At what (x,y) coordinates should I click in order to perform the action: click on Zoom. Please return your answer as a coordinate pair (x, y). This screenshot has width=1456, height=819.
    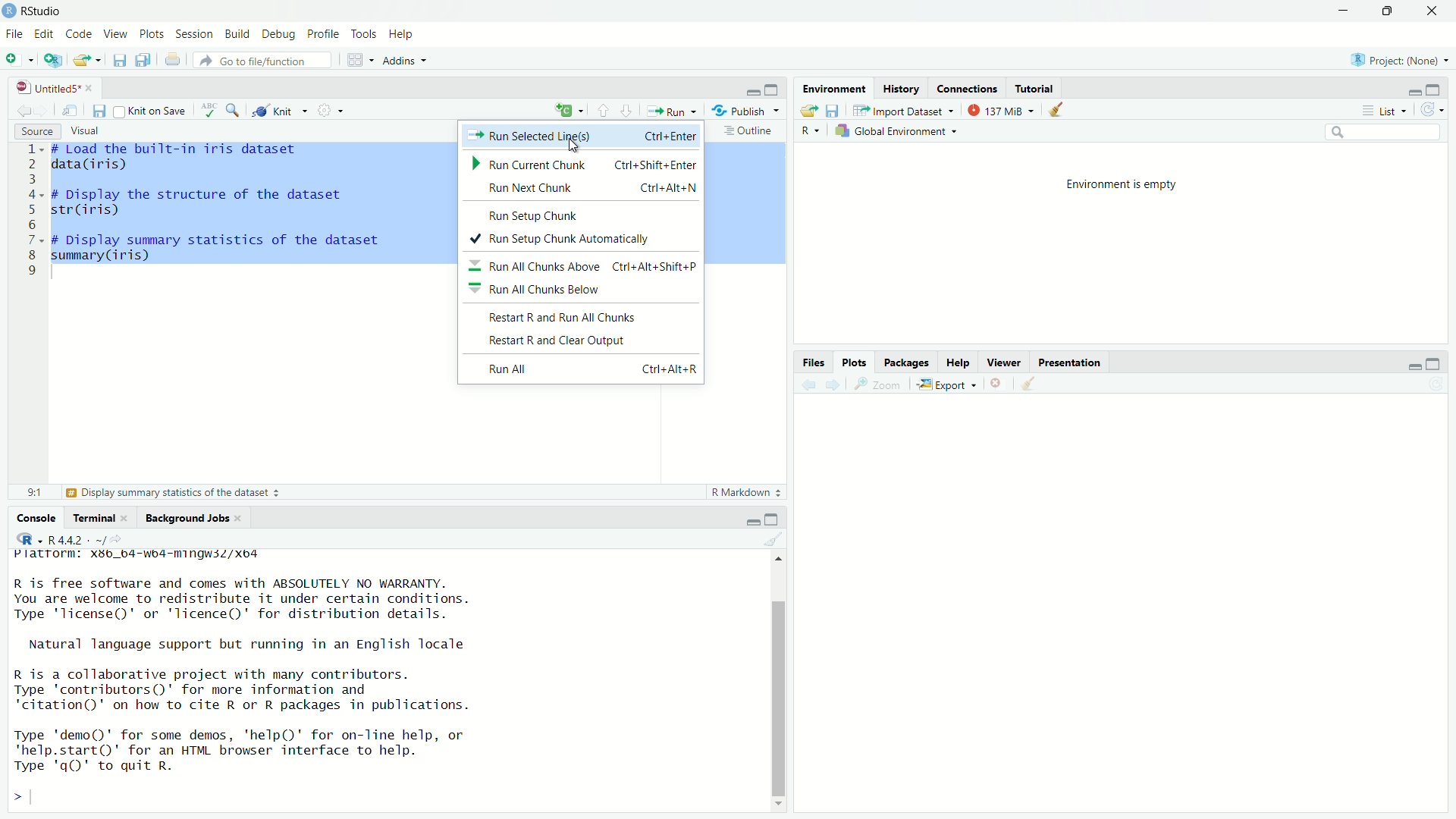
    Looking at the image, I should click on (876, 384).